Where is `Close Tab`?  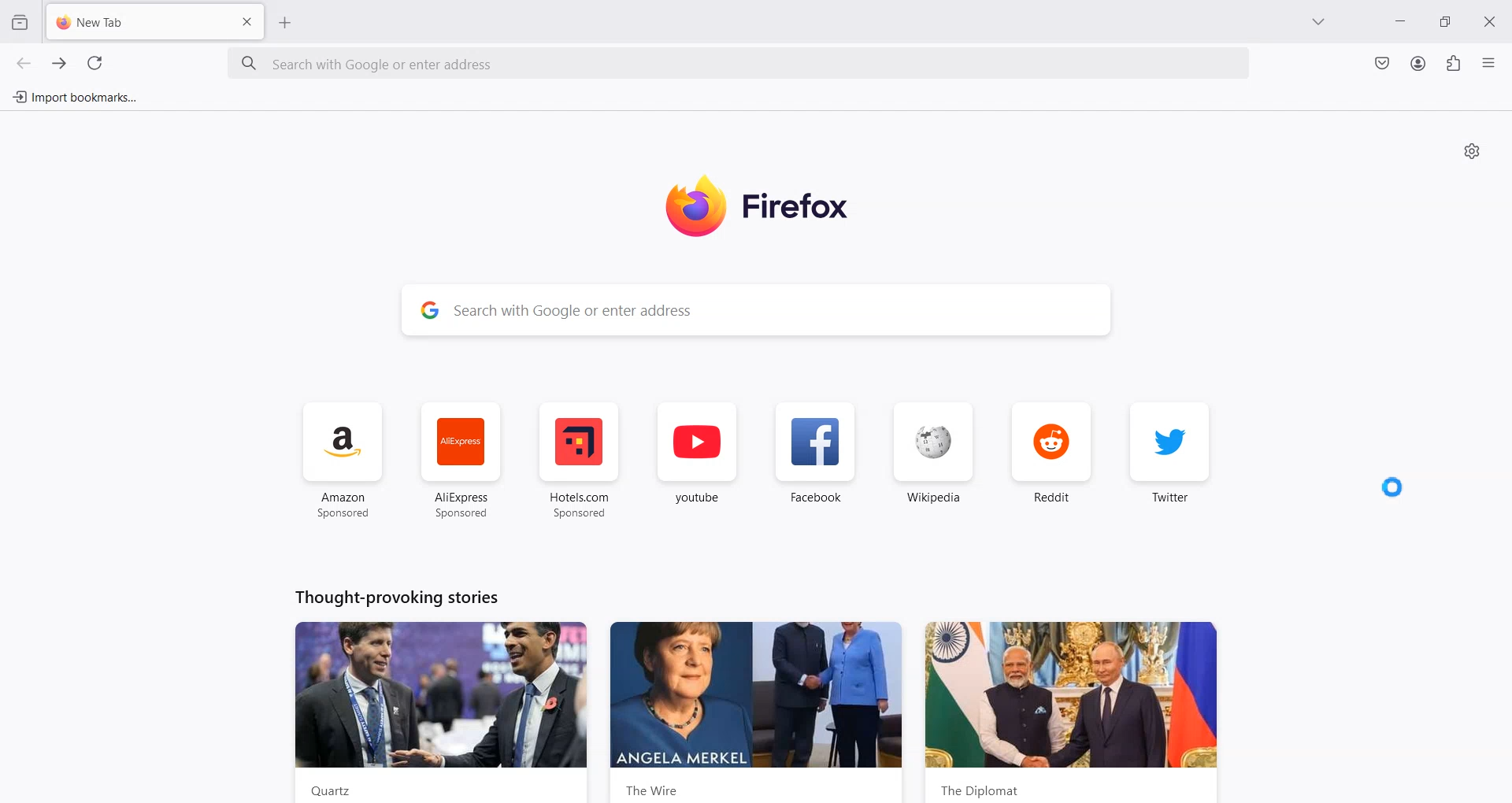 Close Tab is located at coordinates (248, 20).